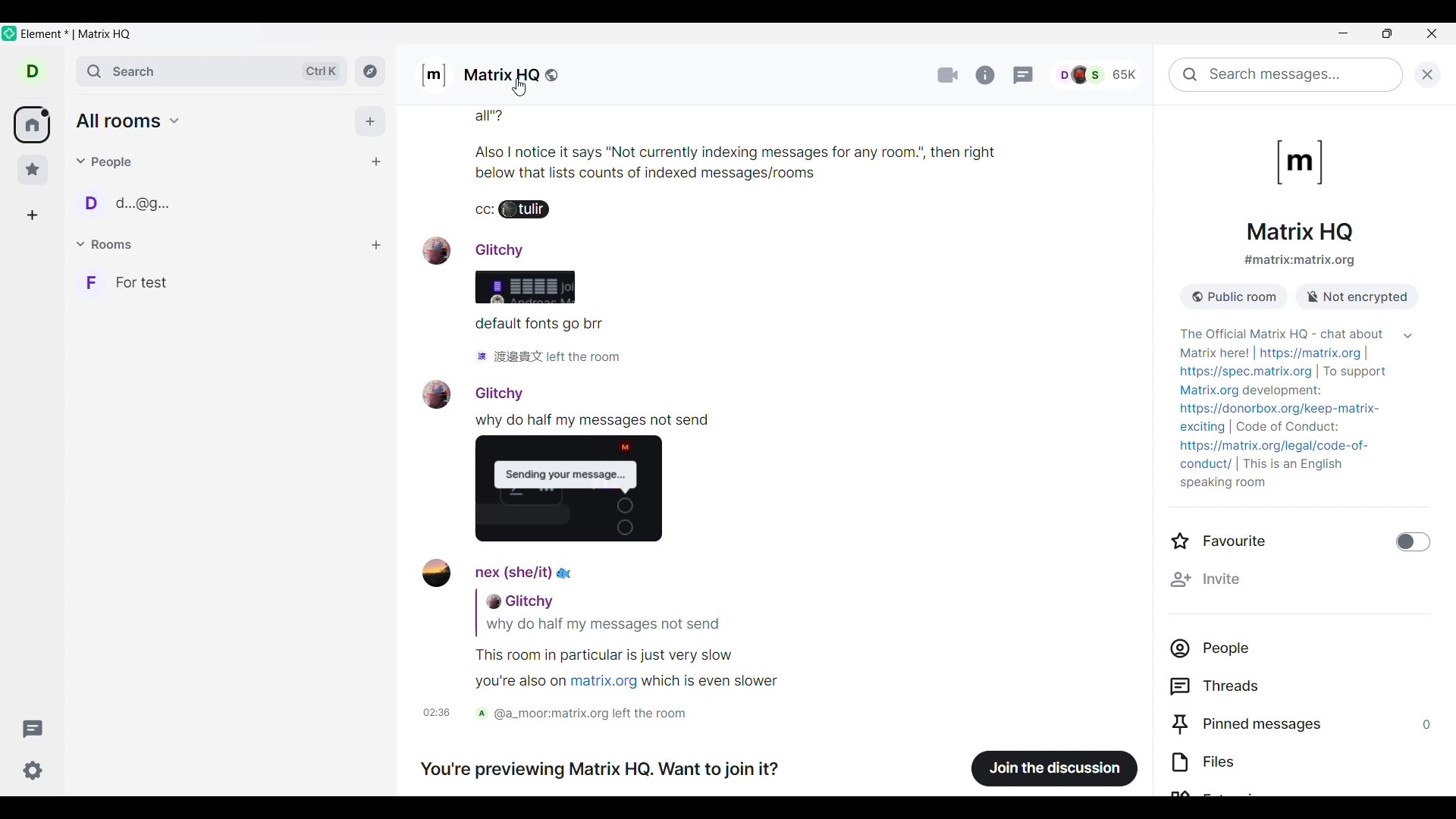 The width and height of the screenshot is (1456, 819). Describe the element at coordinates (606, 772) in the screenshot. I see `you're previewing matrix hq. Want to join it?` at that location.